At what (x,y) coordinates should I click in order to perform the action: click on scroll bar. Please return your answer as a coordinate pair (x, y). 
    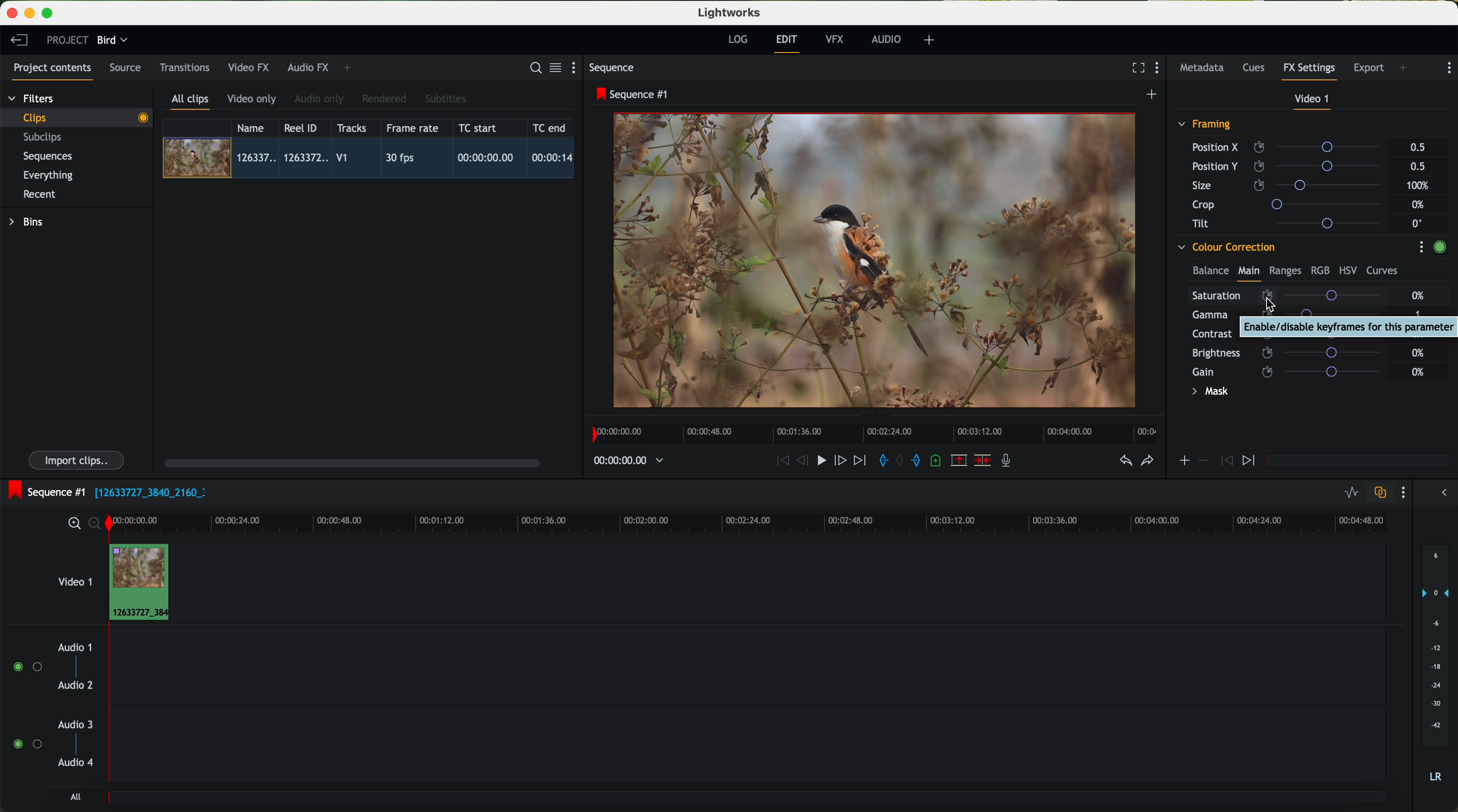
    Looking at the image, I should click on (351, 462).